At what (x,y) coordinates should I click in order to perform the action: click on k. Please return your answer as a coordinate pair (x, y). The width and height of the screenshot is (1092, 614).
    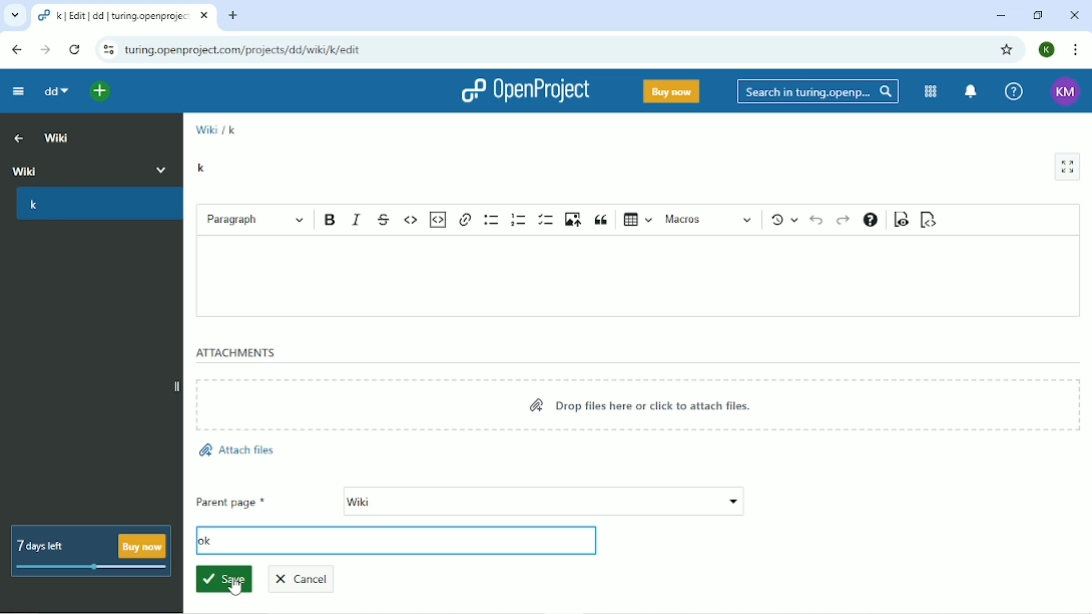
    Looking at the image, I should click on (203, 167).